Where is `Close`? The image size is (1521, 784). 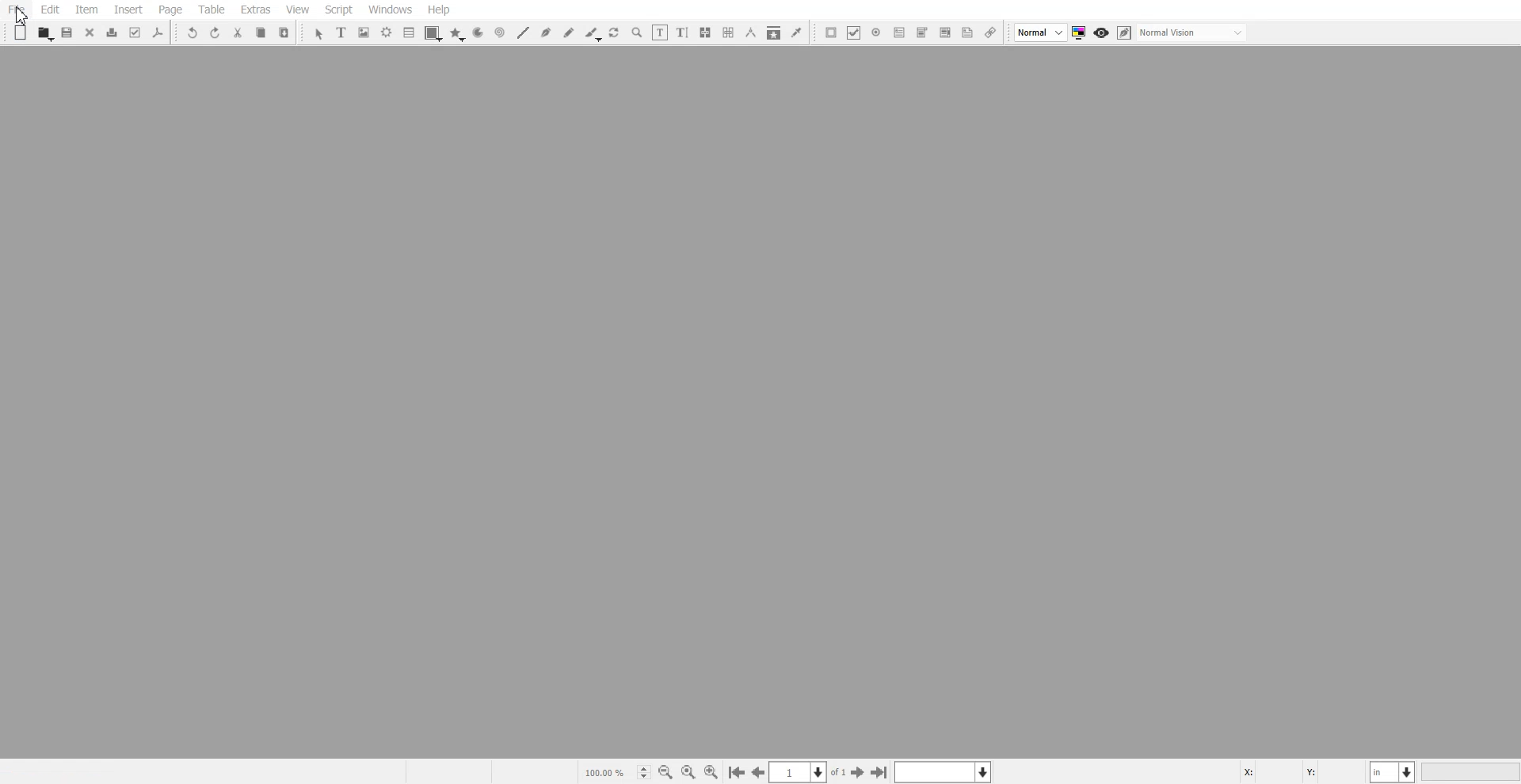 Close is located at coordinates (90, 32).